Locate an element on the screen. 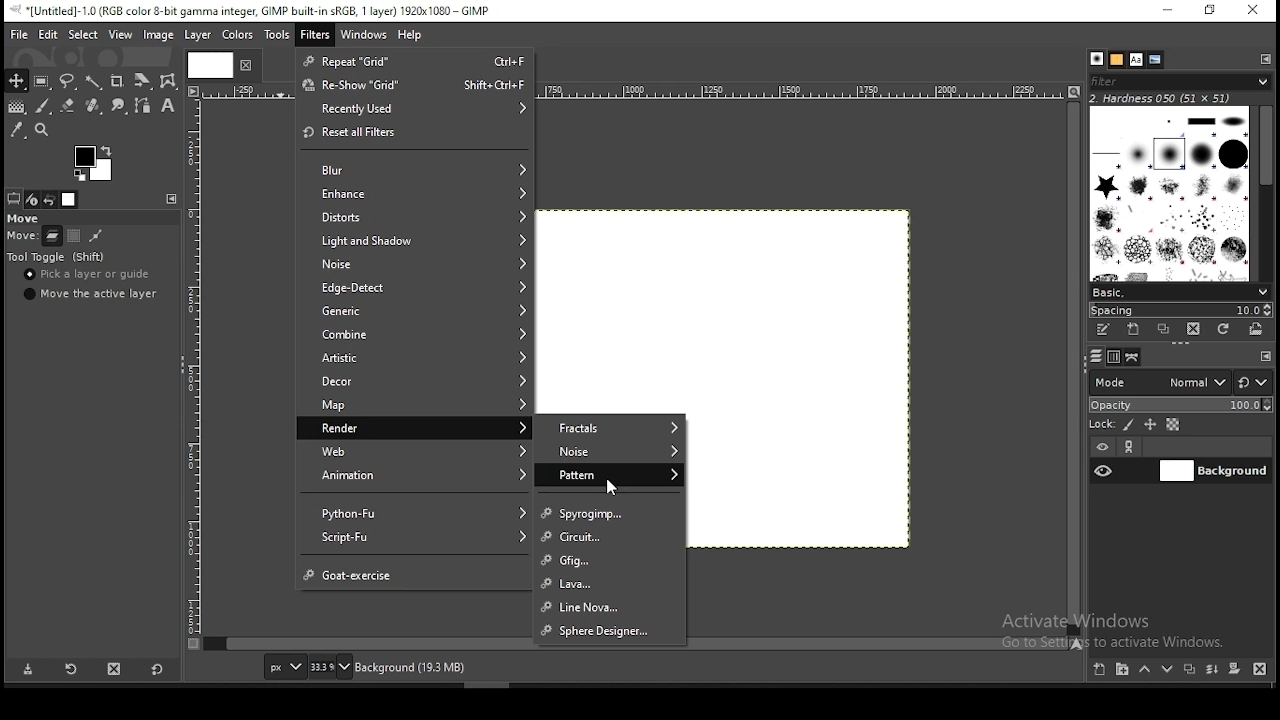 The image size is (1280, 720). document history is located at coordinates (1155, 60).